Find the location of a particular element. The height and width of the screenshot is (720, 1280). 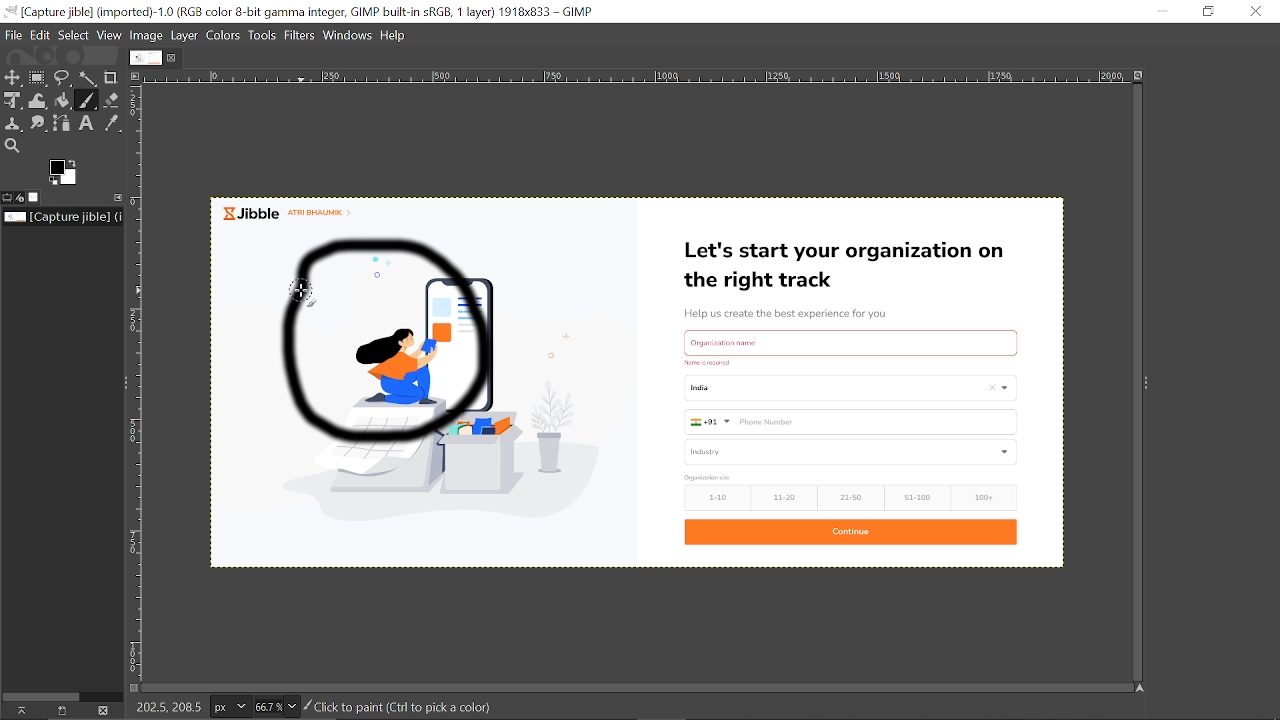

paintbrush tool is located at coordinates (87, 101).